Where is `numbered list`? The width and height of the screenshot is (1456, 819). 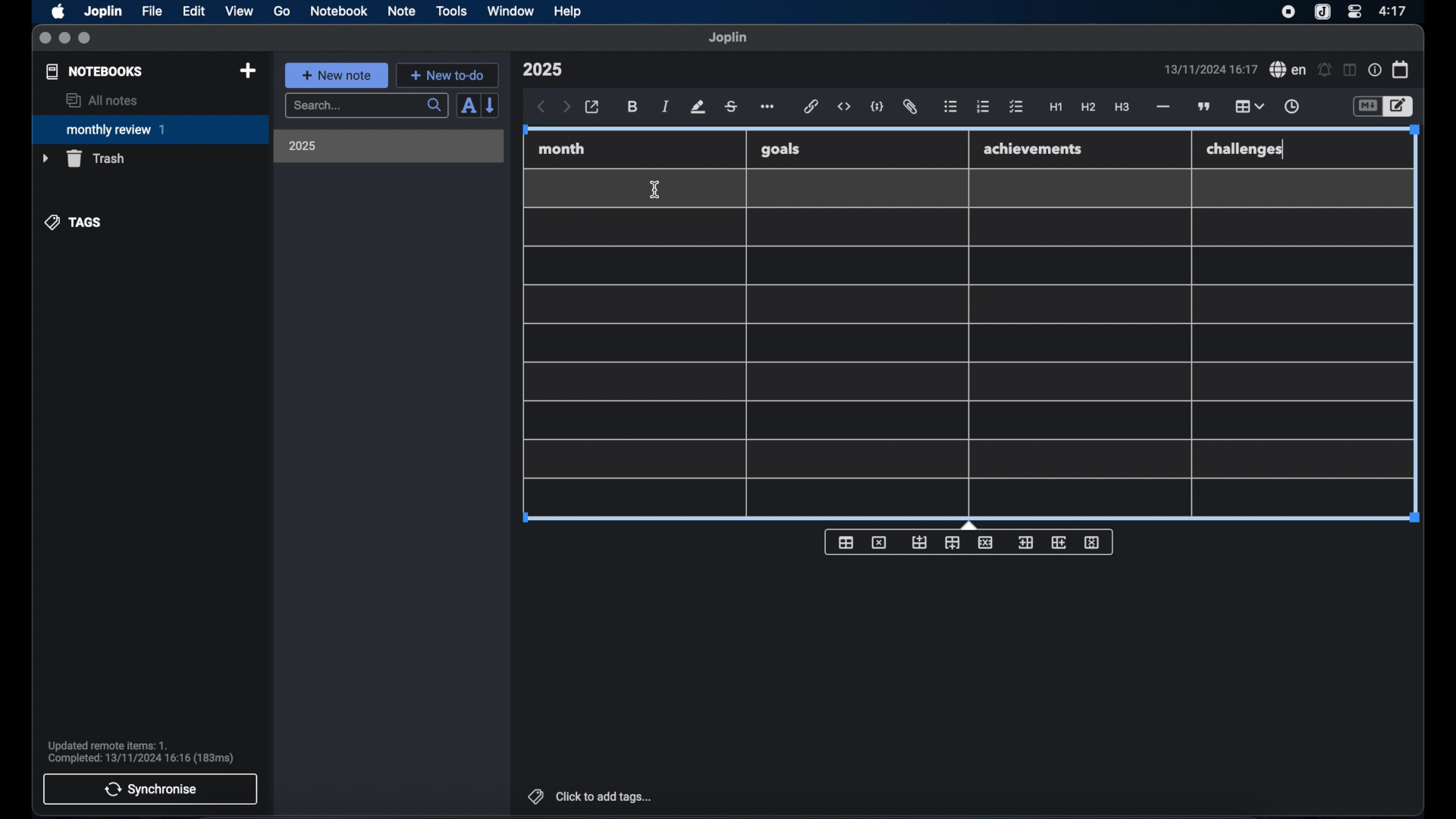
numbered list is located at coordinates (983, 106).